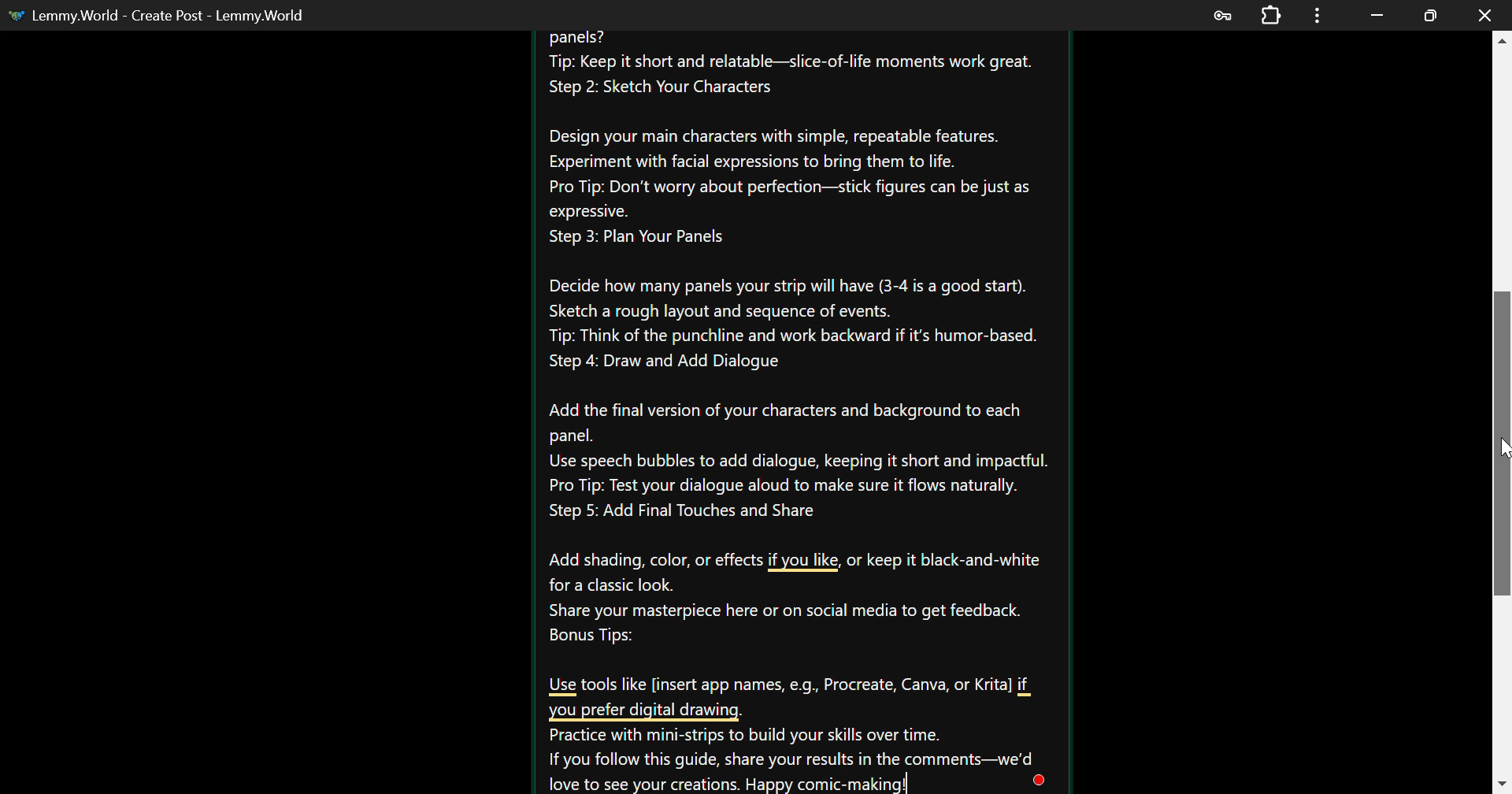 This screenshot has width=1512, height=794. I want to click on Password Data Saved, so click(1224, 14).